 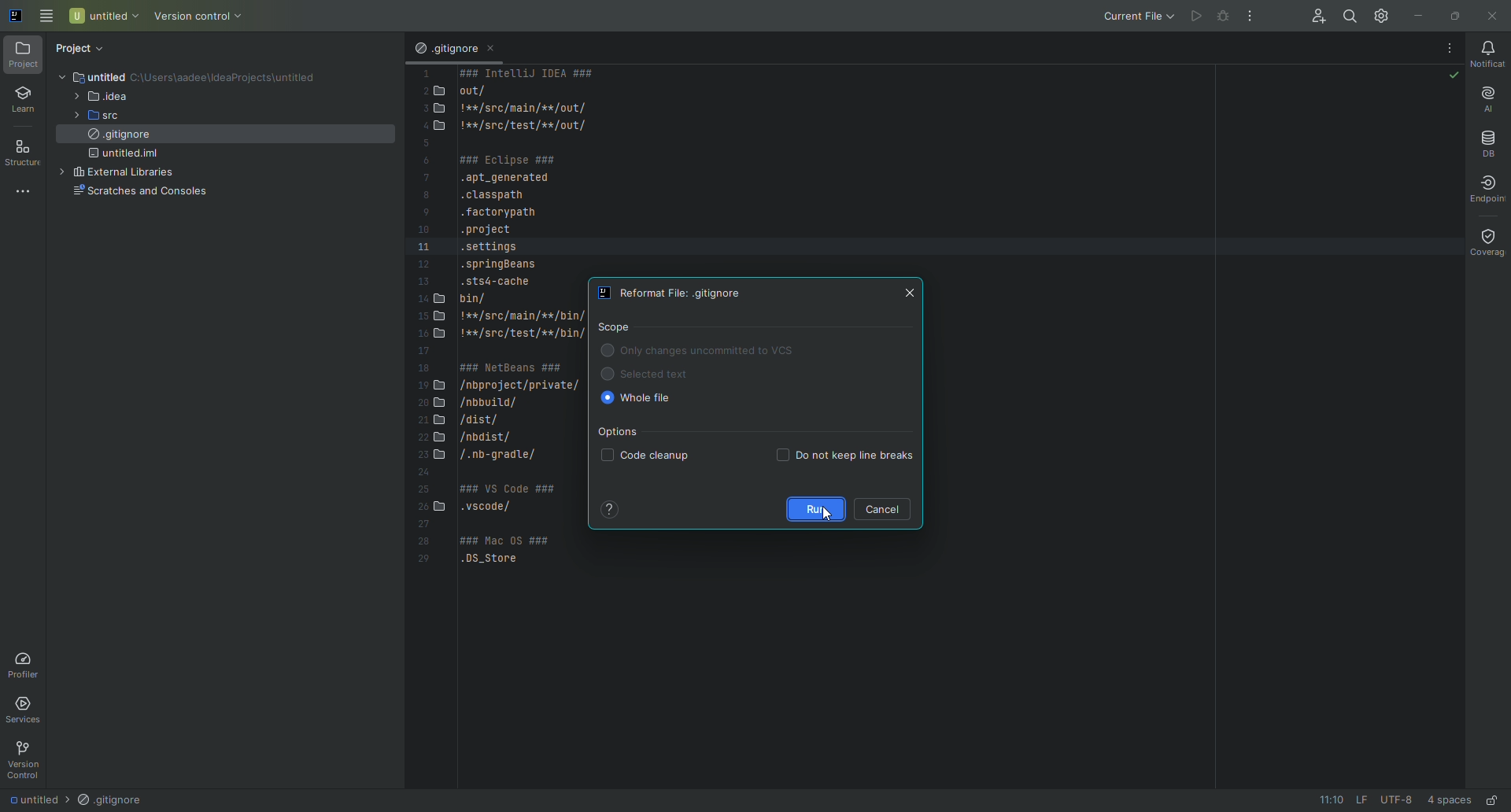 I want to click on untitled.iml, so click(x=129, y=157).